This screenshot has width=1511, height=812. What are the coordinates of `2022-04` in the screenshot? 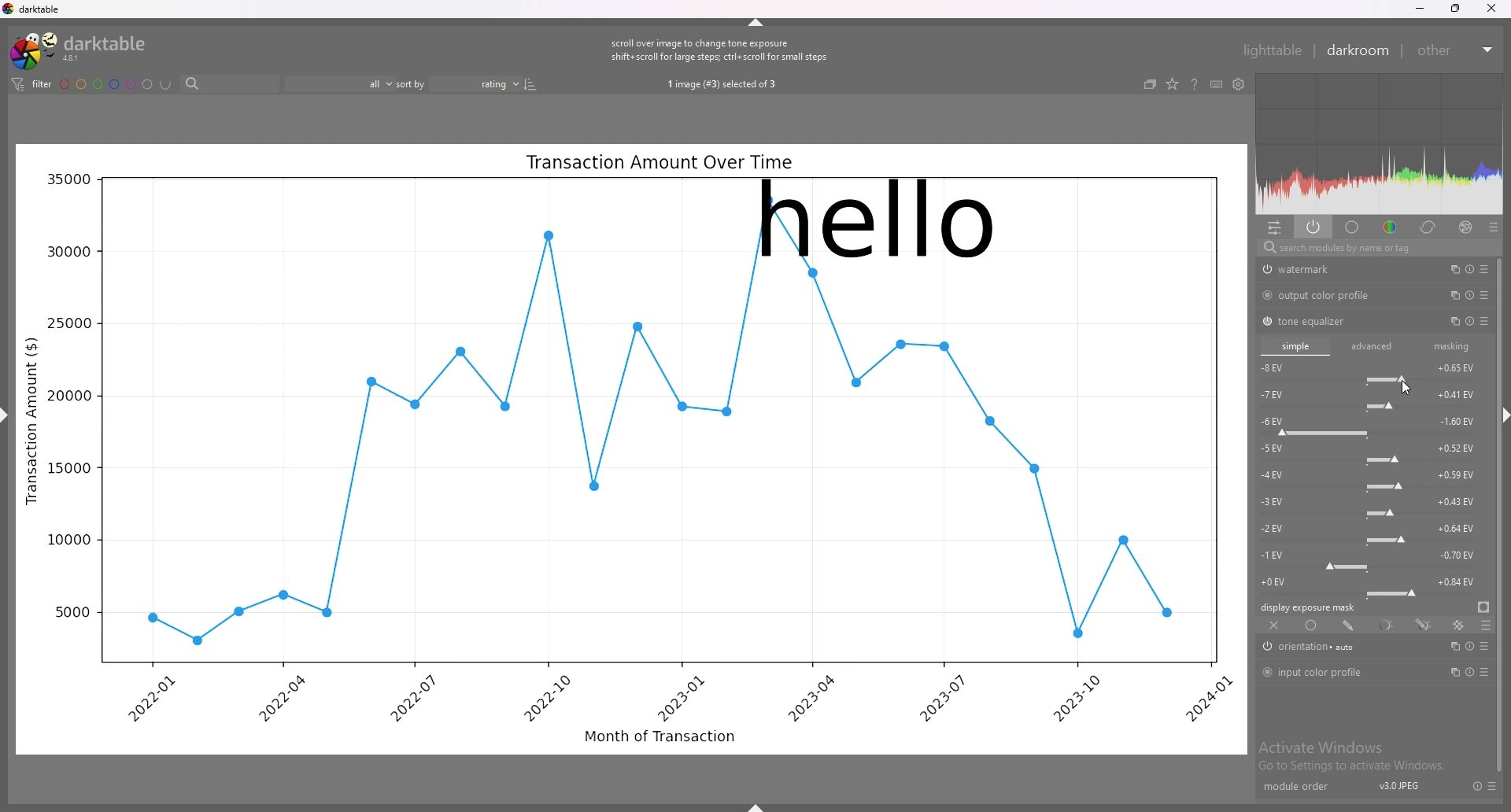 It's located at (281, 698).